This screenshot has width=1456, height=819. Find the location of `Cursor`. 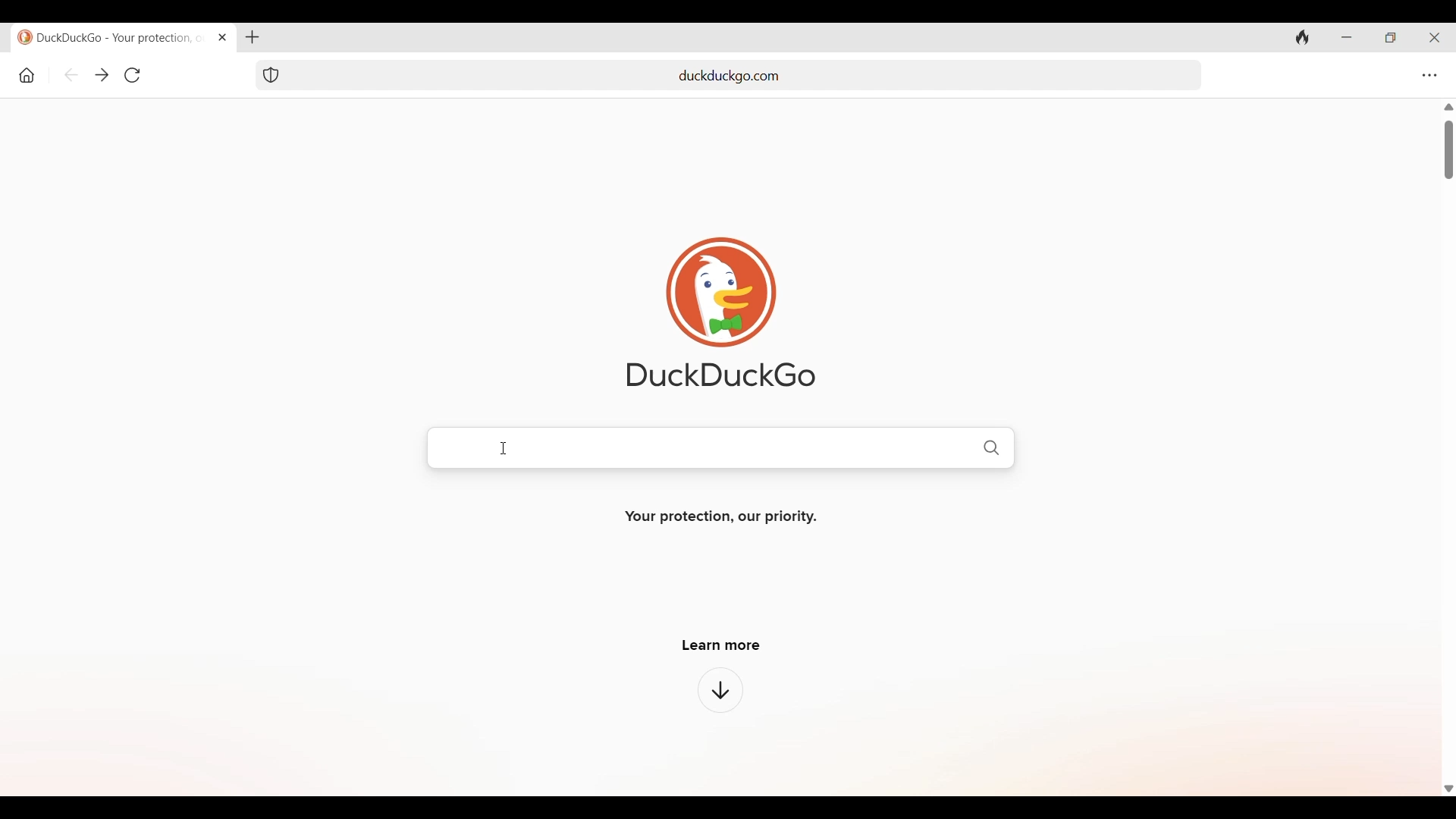

Cursor is located at coordinates (501, 448).